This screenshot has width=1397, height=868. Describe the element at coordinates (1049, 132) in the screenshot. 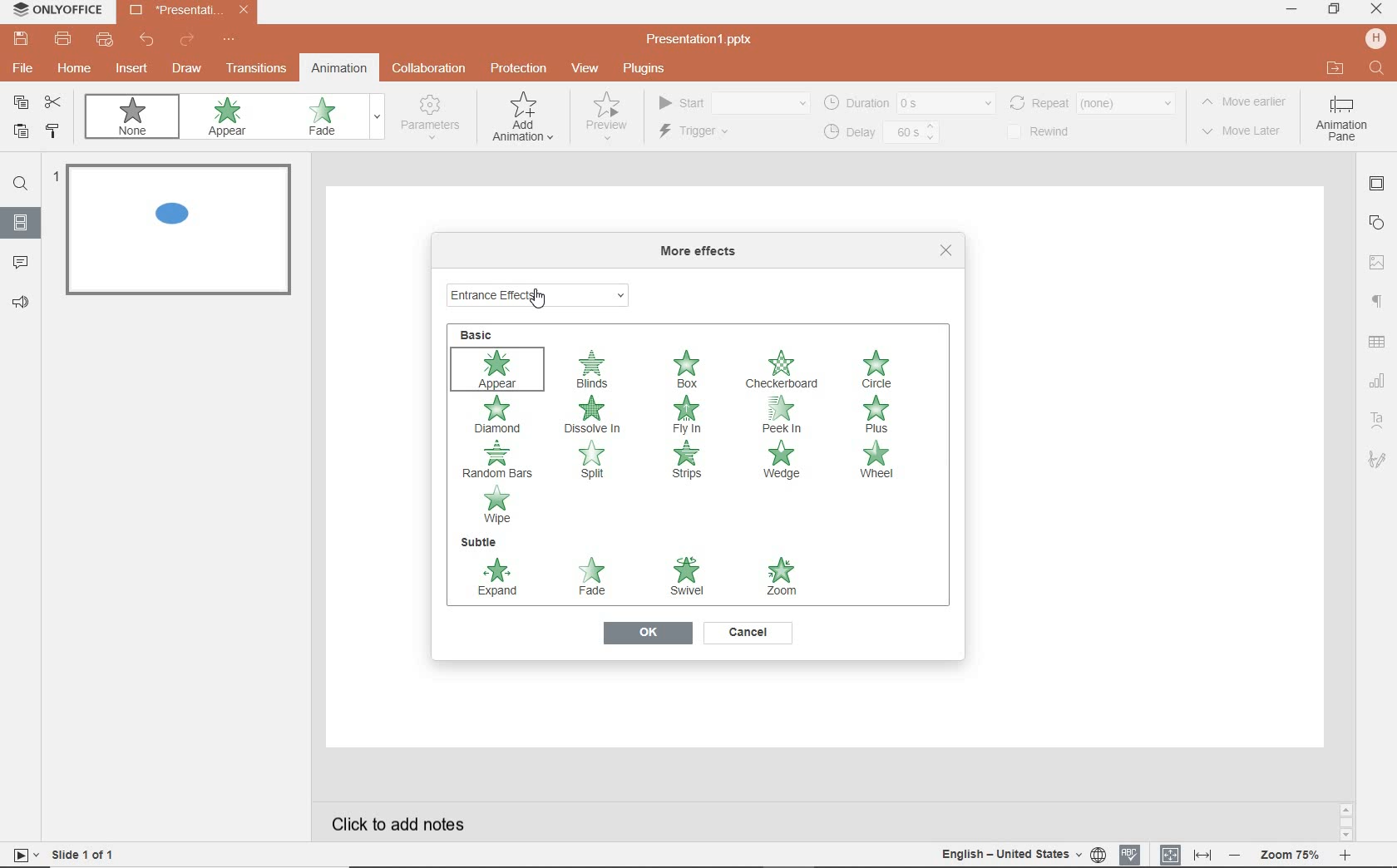

I see `rewind` at that location.